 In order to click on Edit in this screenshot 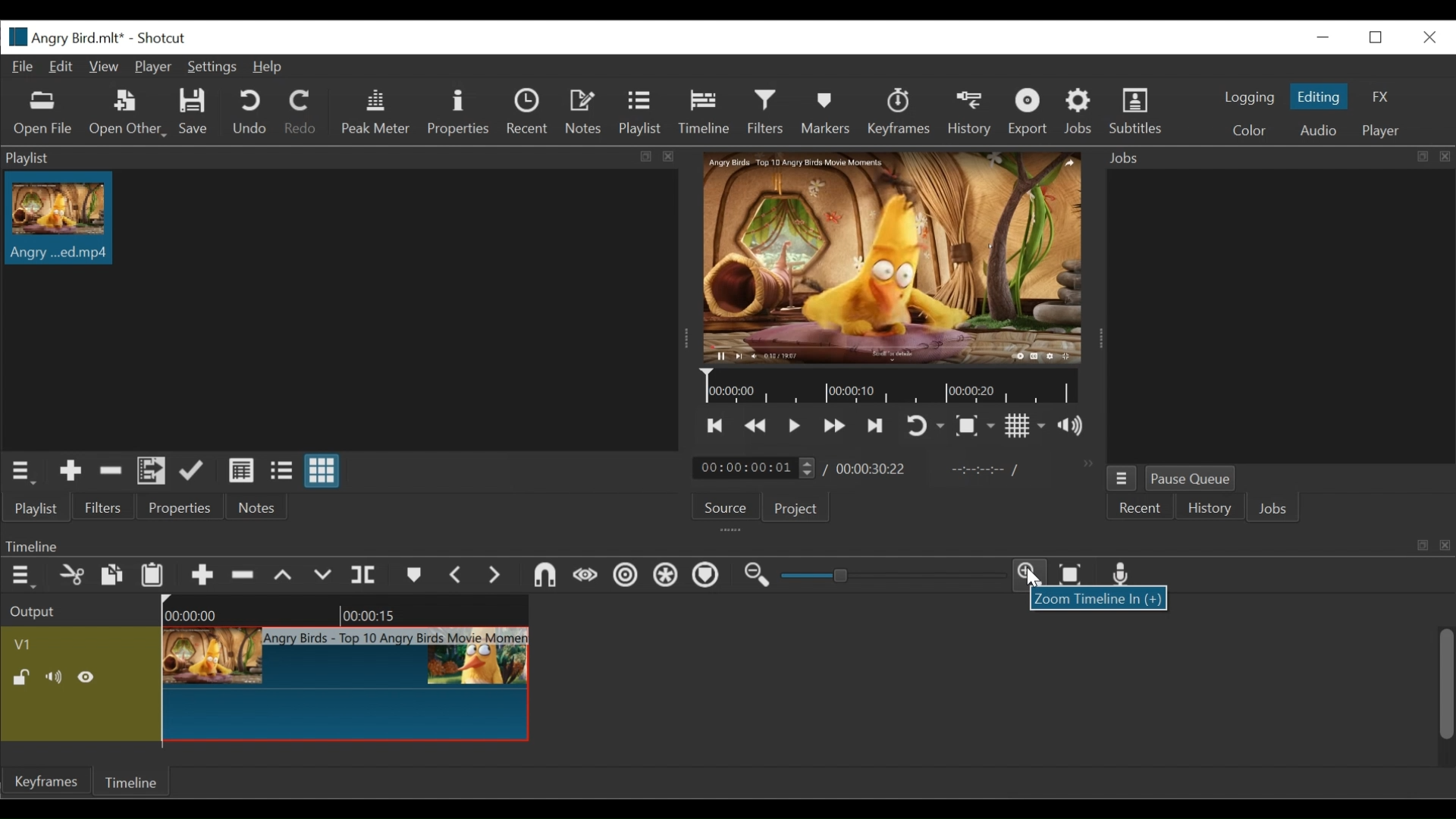, I will do `click(61, 67)`.